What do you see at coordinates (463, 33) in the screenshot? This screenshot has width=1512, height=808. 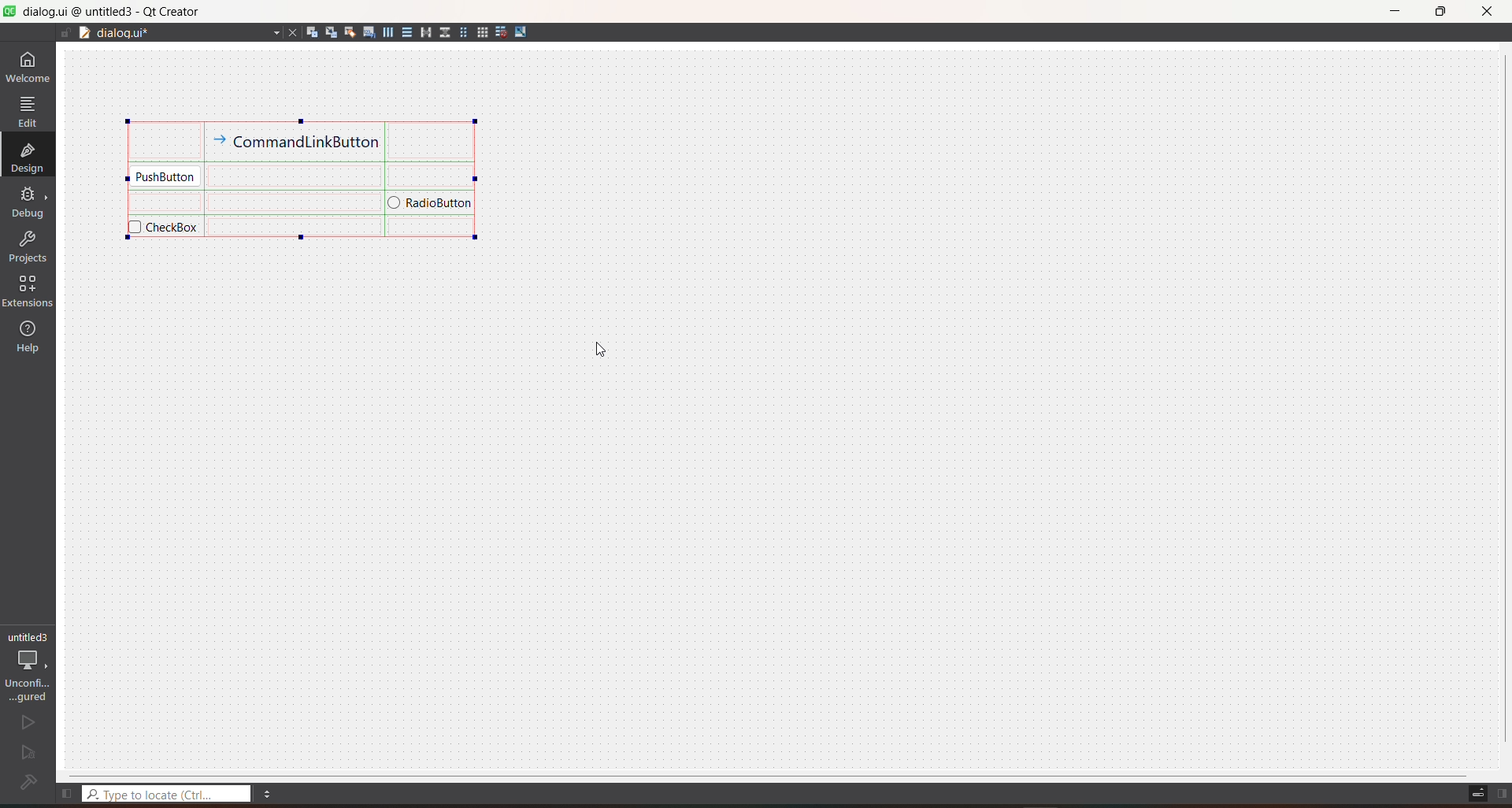 I see `layout in a form` at bounding box center [463, 33].